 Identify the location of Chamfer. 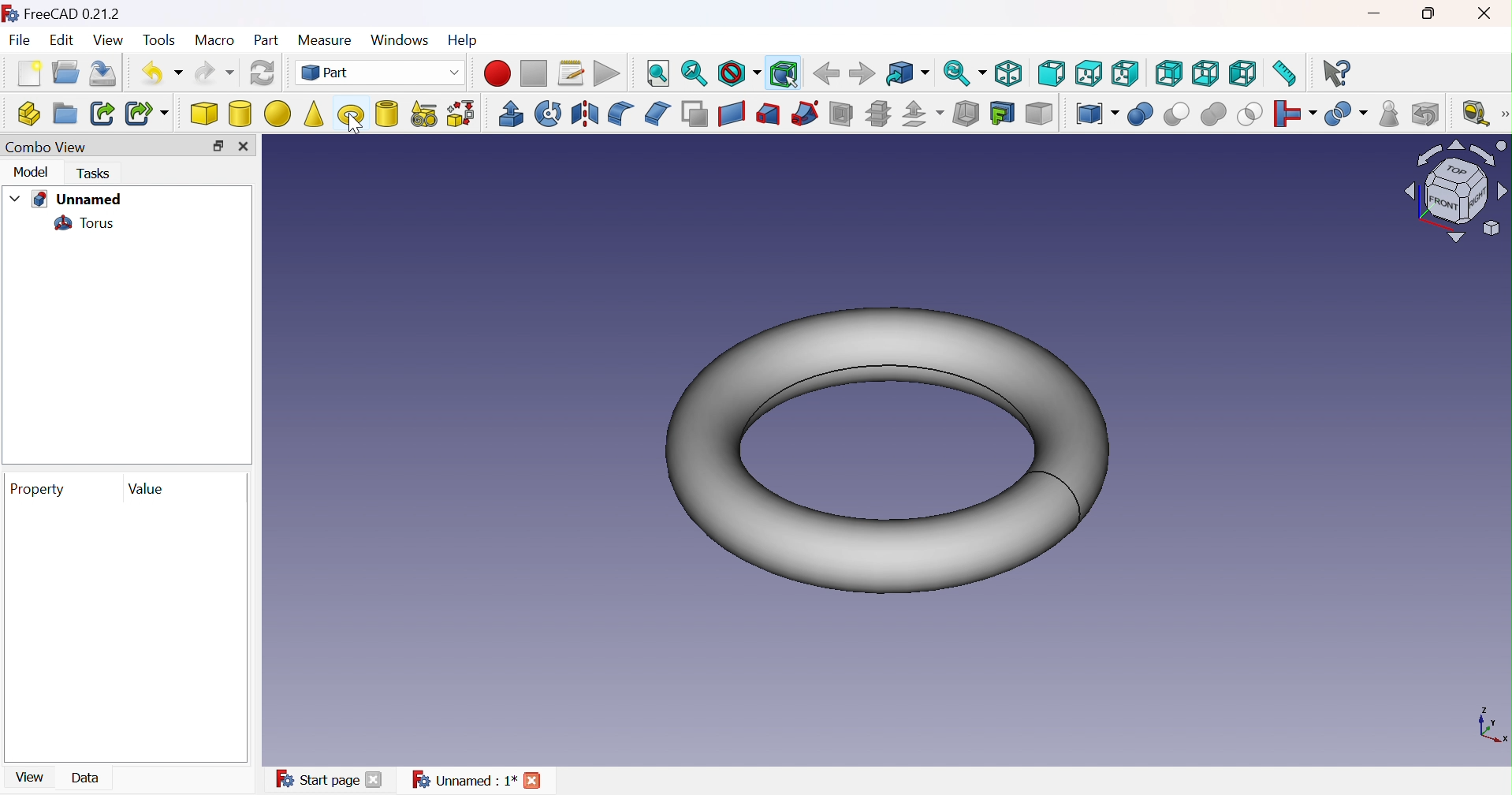
(657, 114).